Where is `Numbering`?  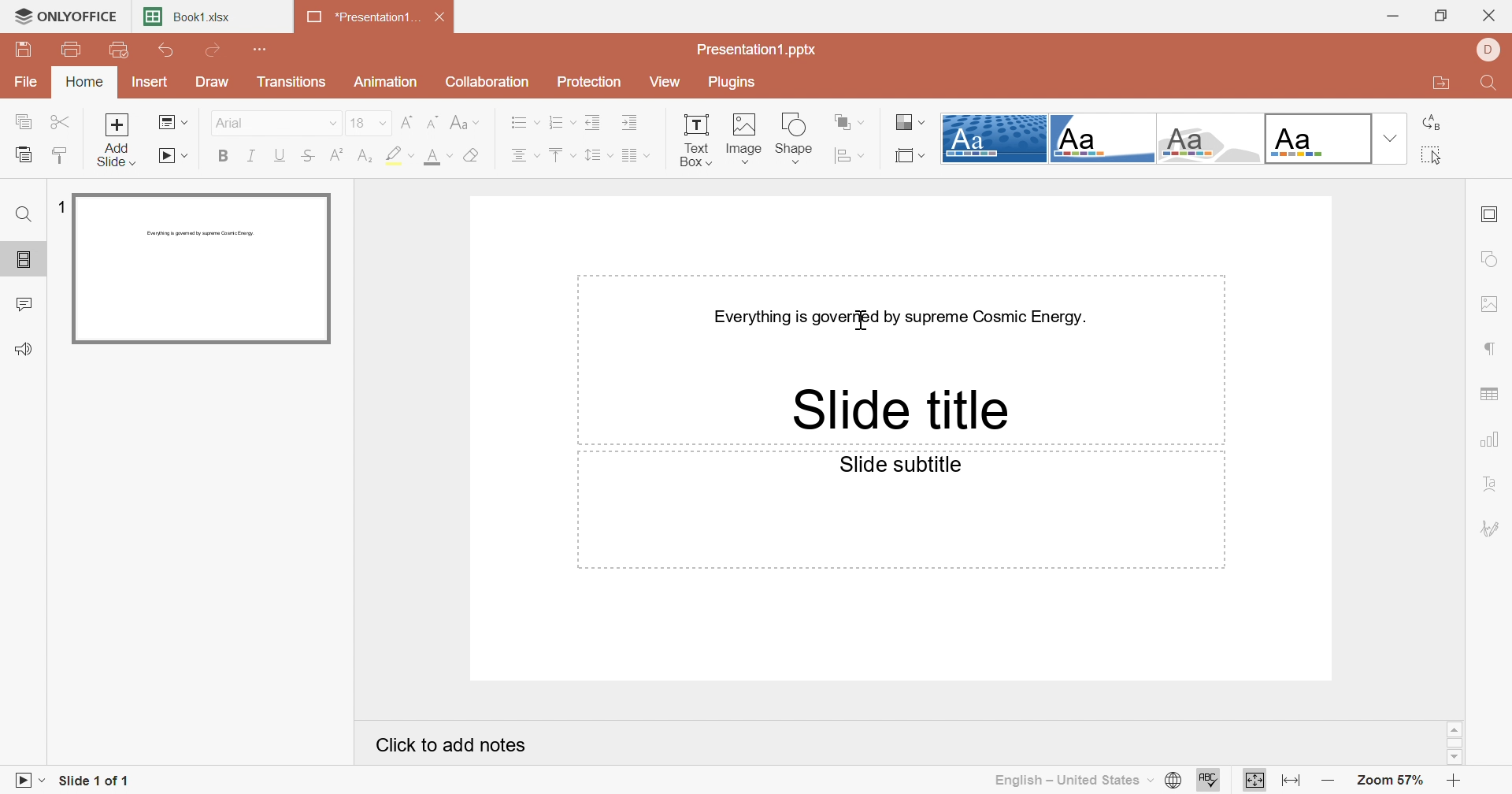 Numbering is located at coordinates (561, 121).